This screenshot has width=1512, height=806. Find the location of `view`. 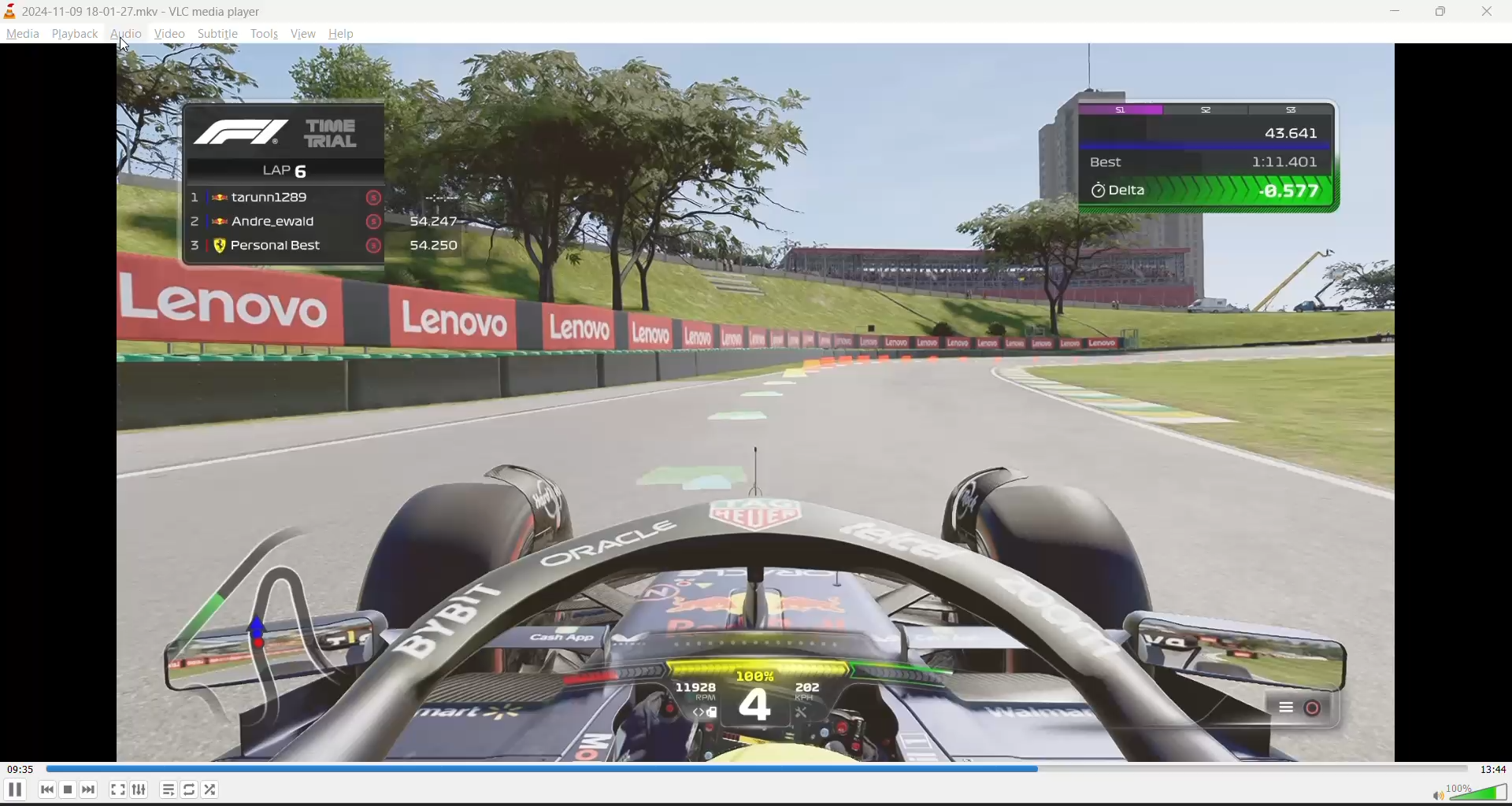

view is located at coordinates (306, 35).